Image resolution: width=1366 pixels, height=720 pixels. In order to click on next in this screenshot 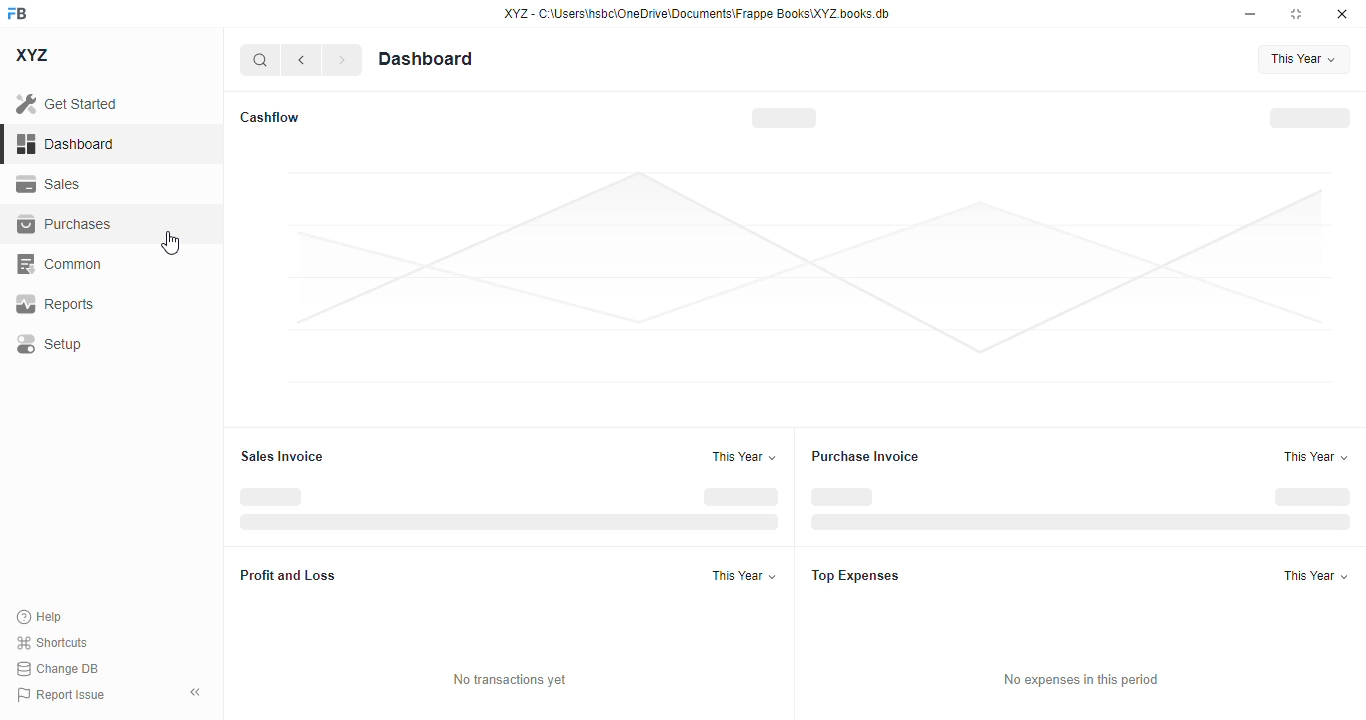, I will do `click(342, 60)`.